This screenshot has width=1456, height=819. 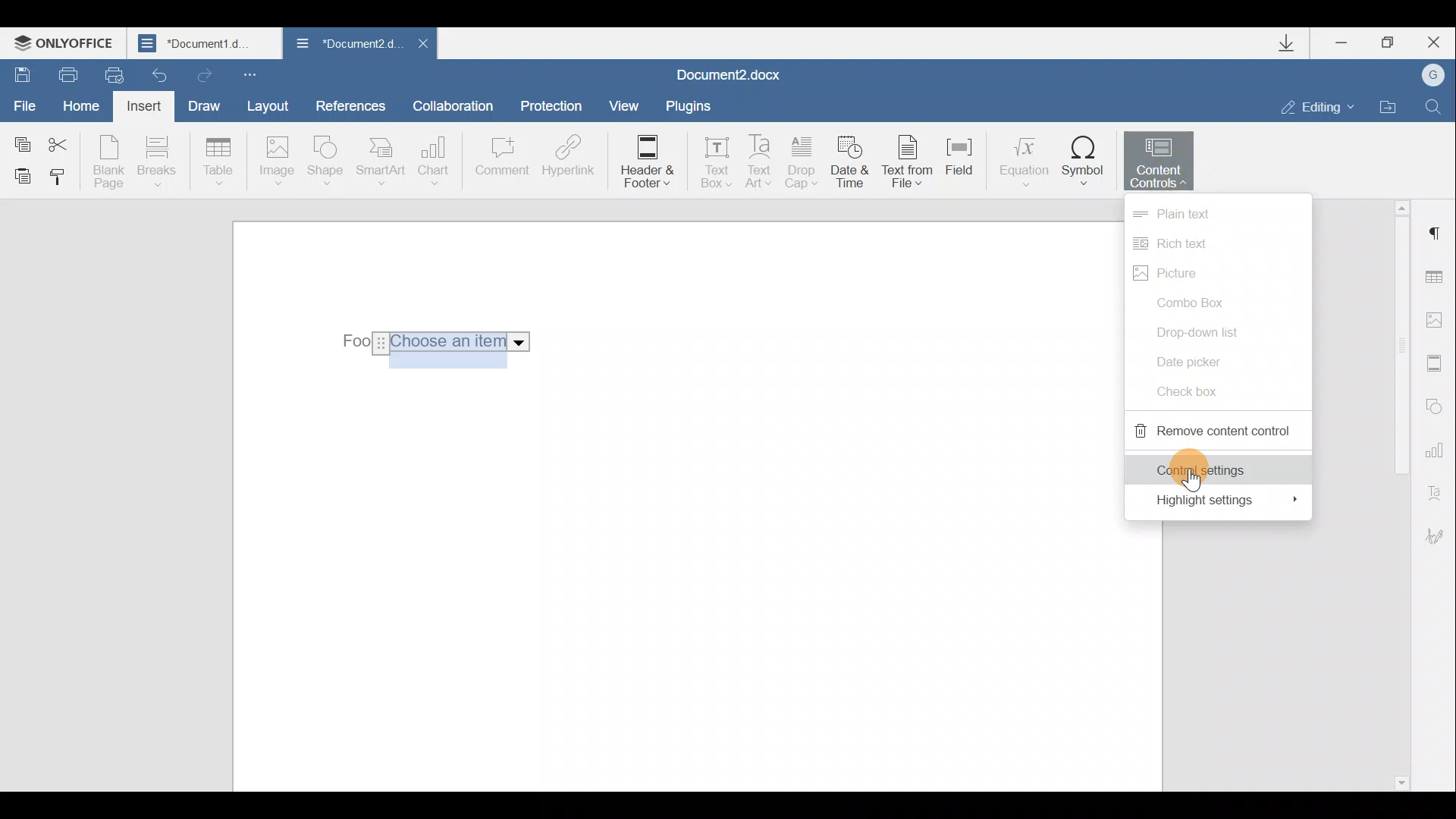 What do you see at coordinates (1348, 45) in the screenshot?
I see `Minimize` at bounding box center [1348, 45].